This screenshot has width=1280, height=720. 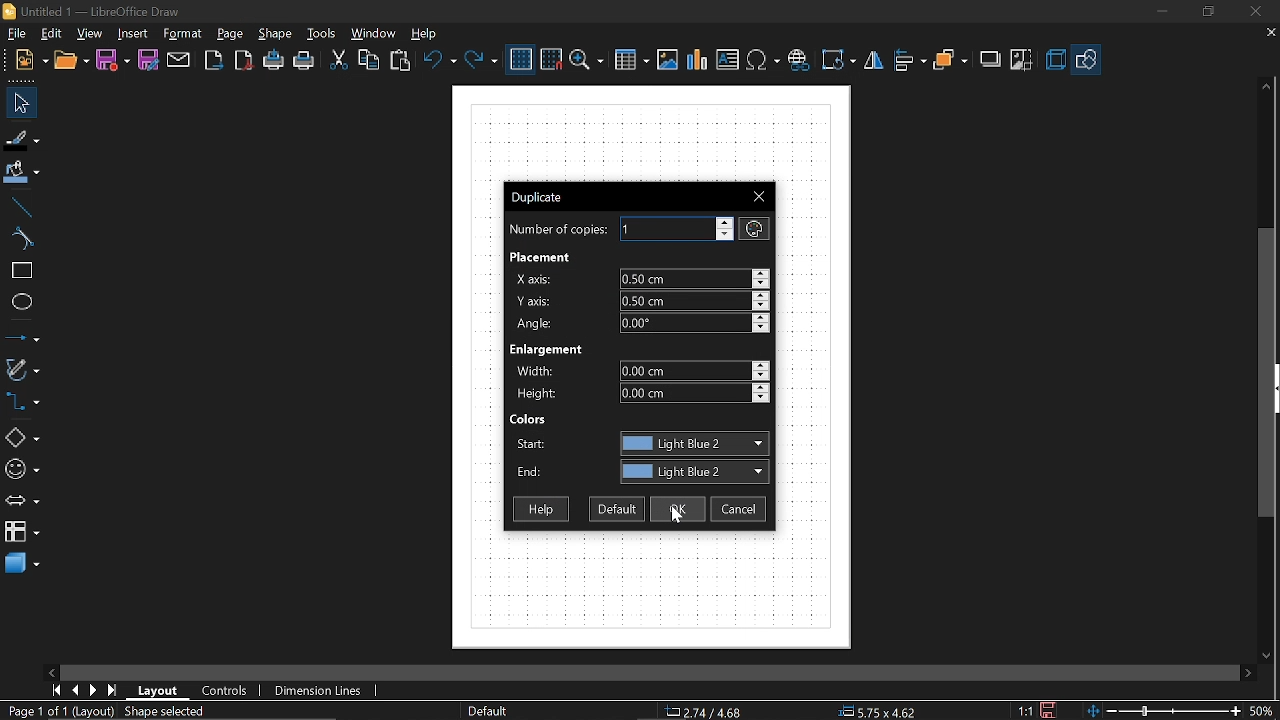 What do you see at coordinates (676, 509) in the screenshot?
I see `ok` at bounding box center [676, 509].